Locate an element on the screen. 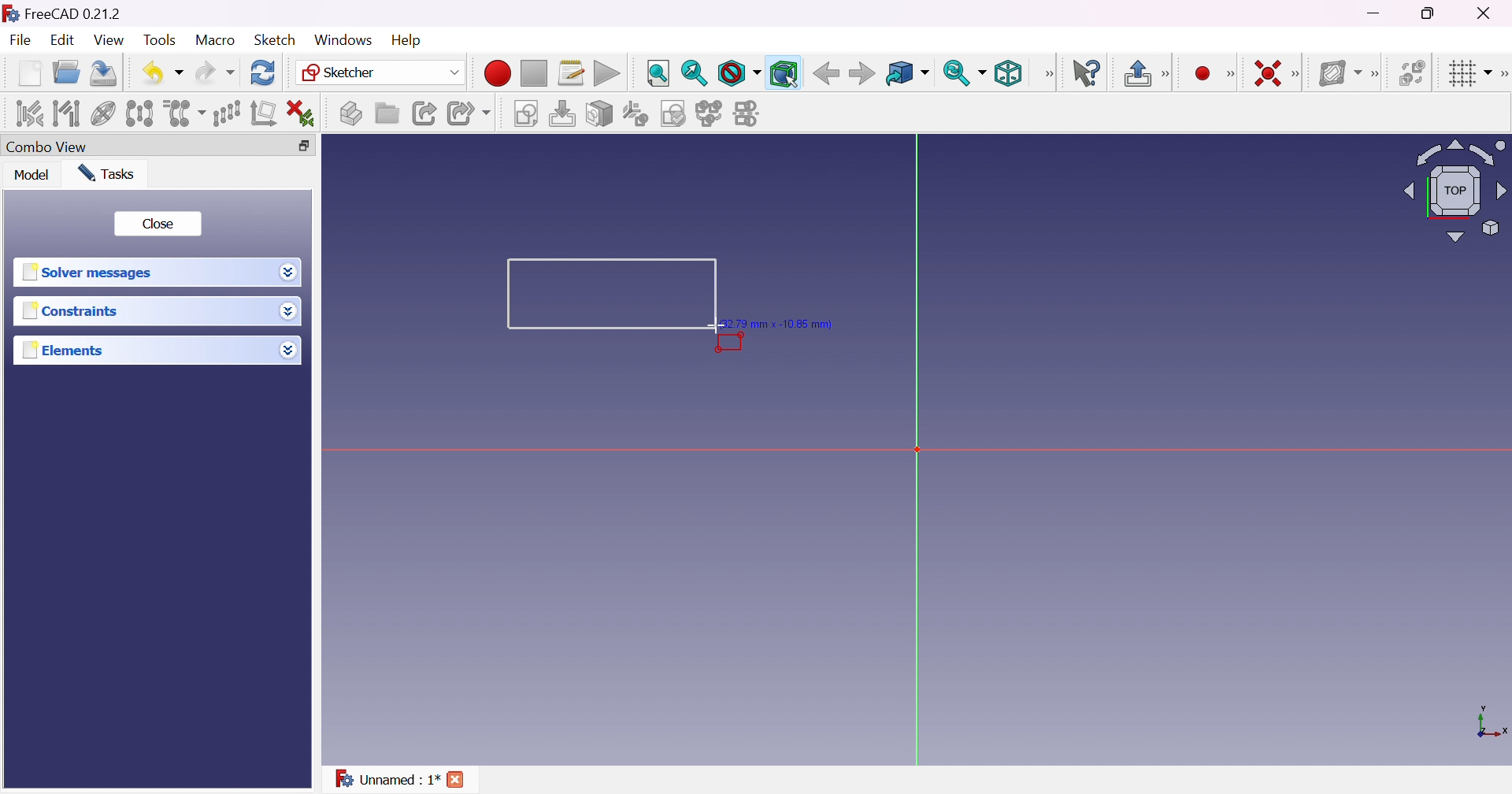 The image size is (1512, 794). Show/hide B-spline information layer is located at coordinates (1340, 72).